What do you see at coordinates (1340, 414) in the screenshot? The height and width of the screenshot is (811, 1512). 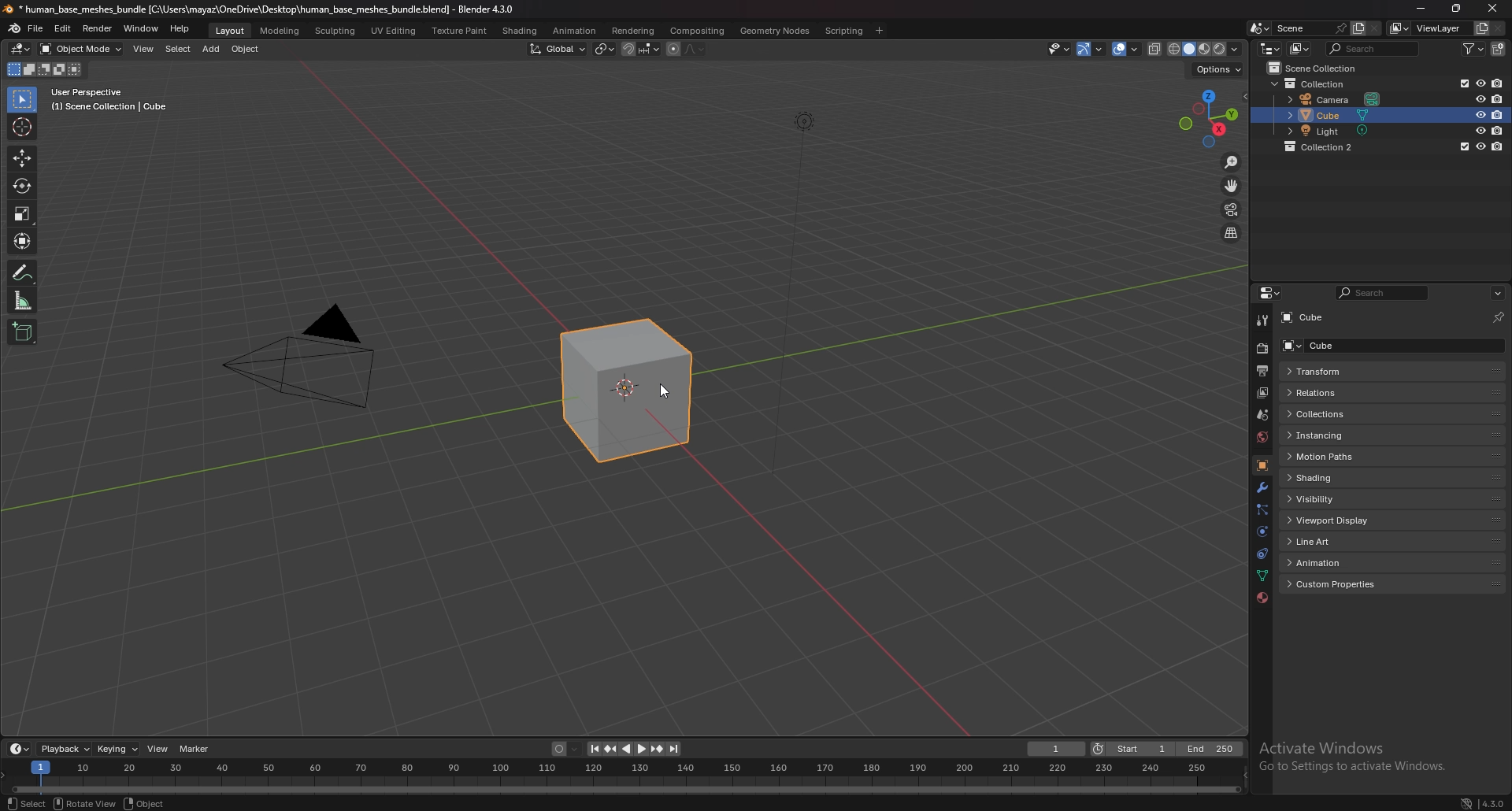 I see `collections` at bounding box center [1340, 414].